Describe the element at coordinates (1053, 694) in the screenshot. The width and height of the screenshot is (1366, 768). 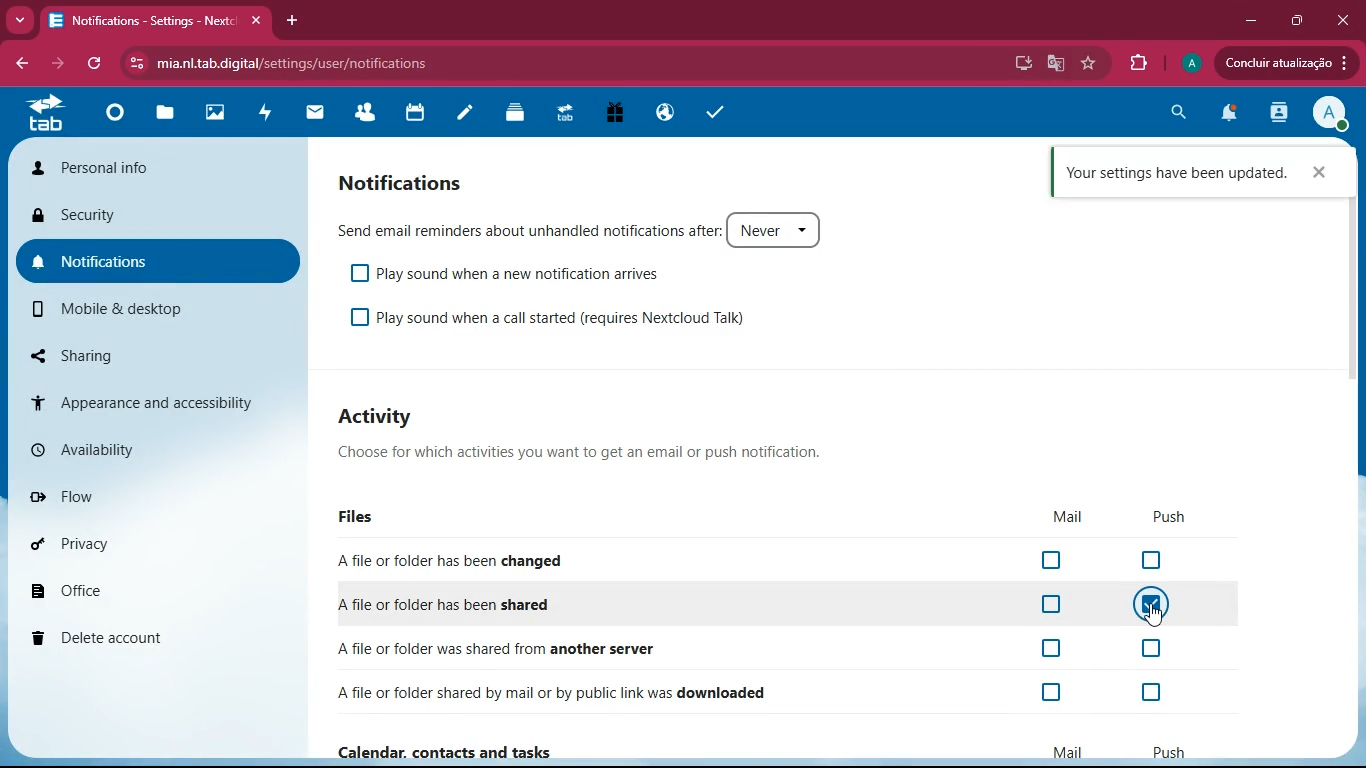
I see `off` at that location.